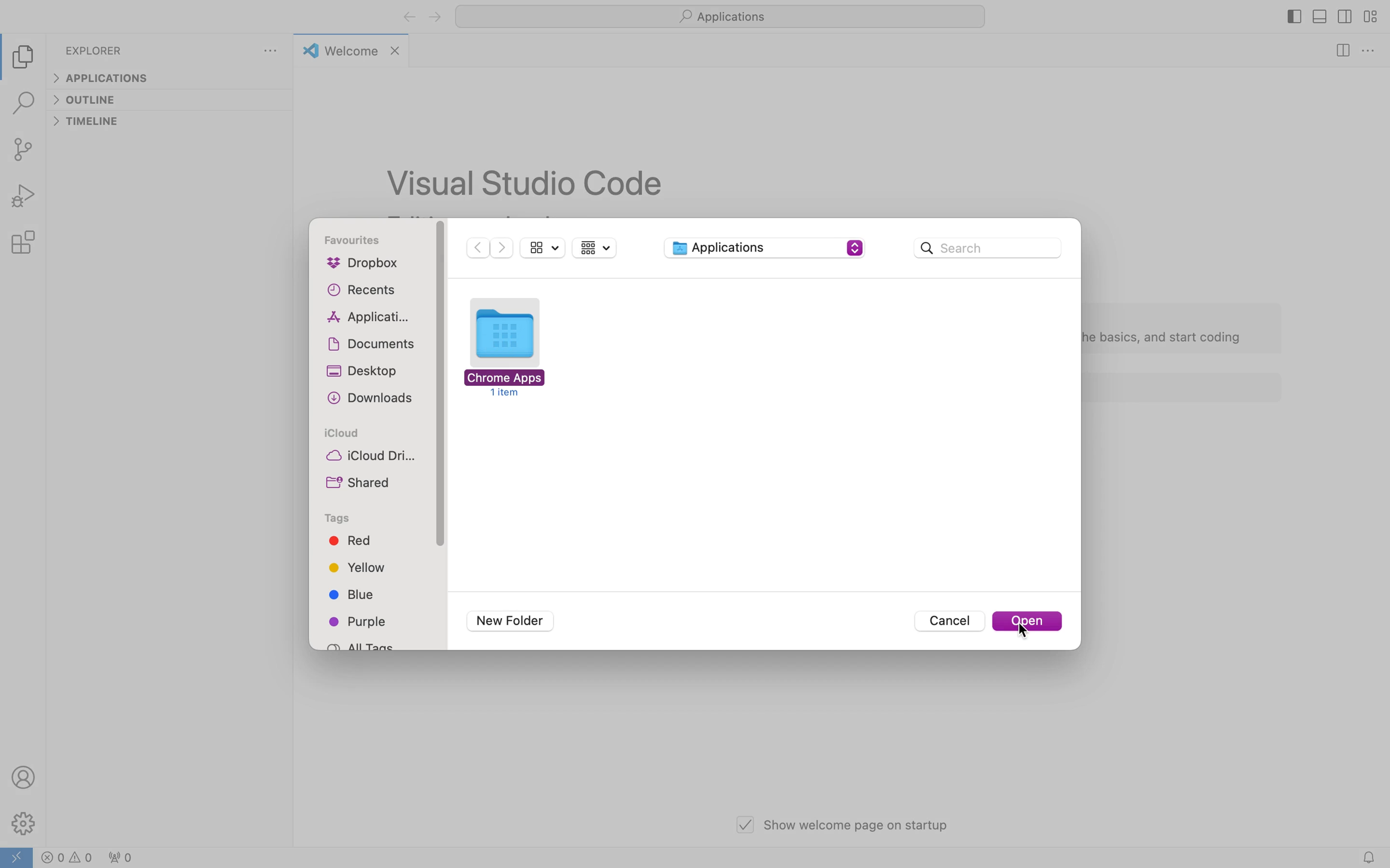 The width and height of the screenshot is (1390, 868). What do you see at coordinates (25, 823) in the screenshot?
I see `settings` at bounding box center [25, 823].